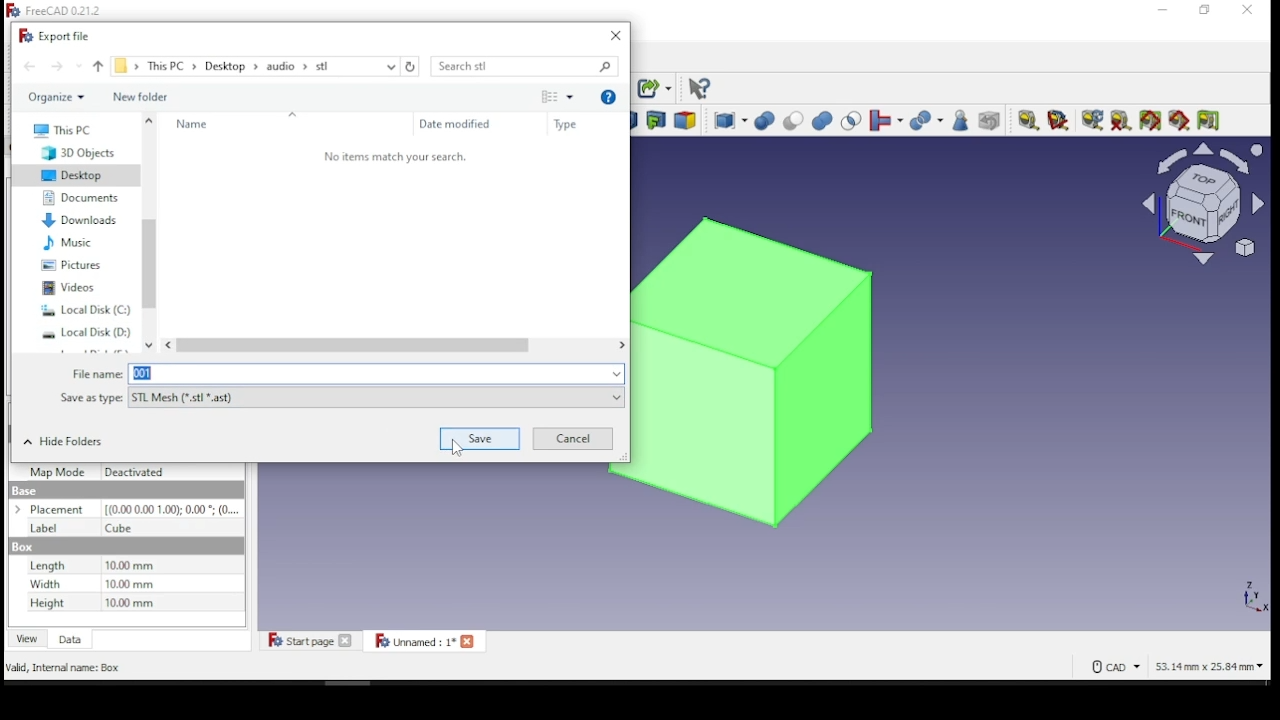  Describe the element at coordinates (57, 471) in the screenshot. I see `Map Mode` at that location.